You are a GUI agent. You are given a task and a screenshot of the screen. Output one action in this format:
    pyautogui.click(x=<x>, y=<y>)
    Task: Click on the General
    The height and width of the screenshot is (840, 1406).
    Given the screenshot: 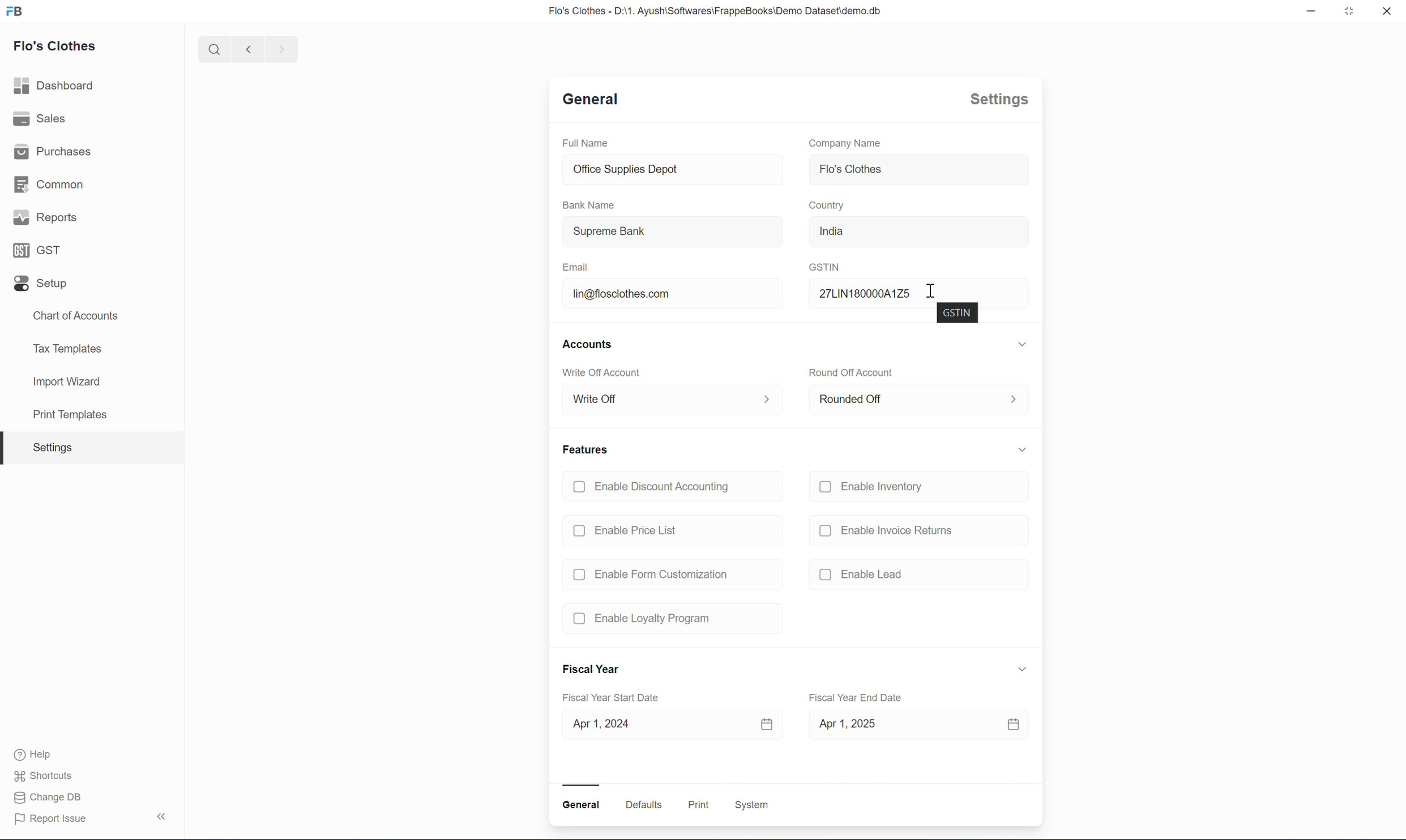 What is the action you would take?
    pyautogui.click(x=581, y=805)
    